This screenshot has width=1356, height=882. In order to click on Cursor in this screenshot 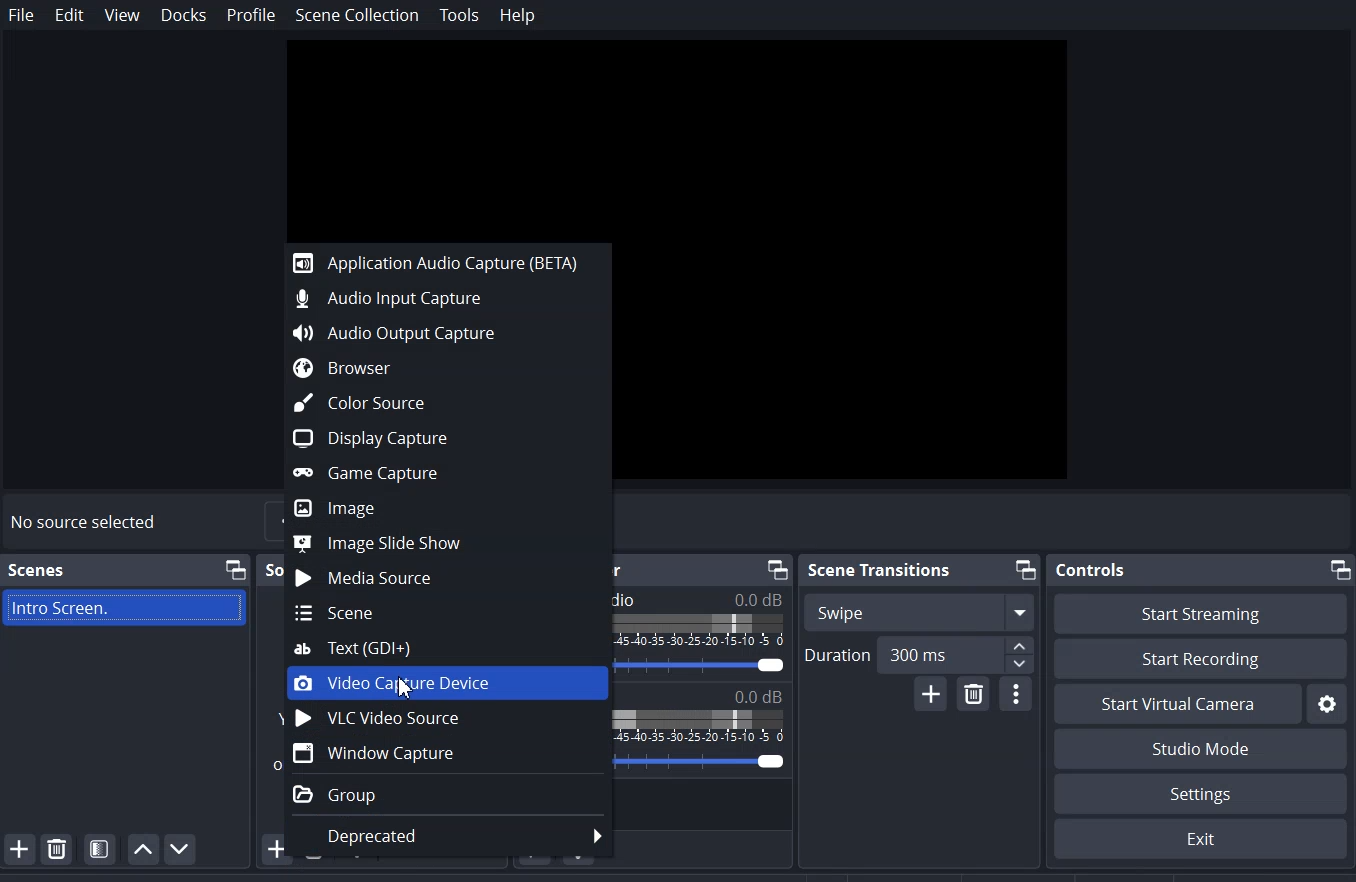, I will do `click(405, 685)`.